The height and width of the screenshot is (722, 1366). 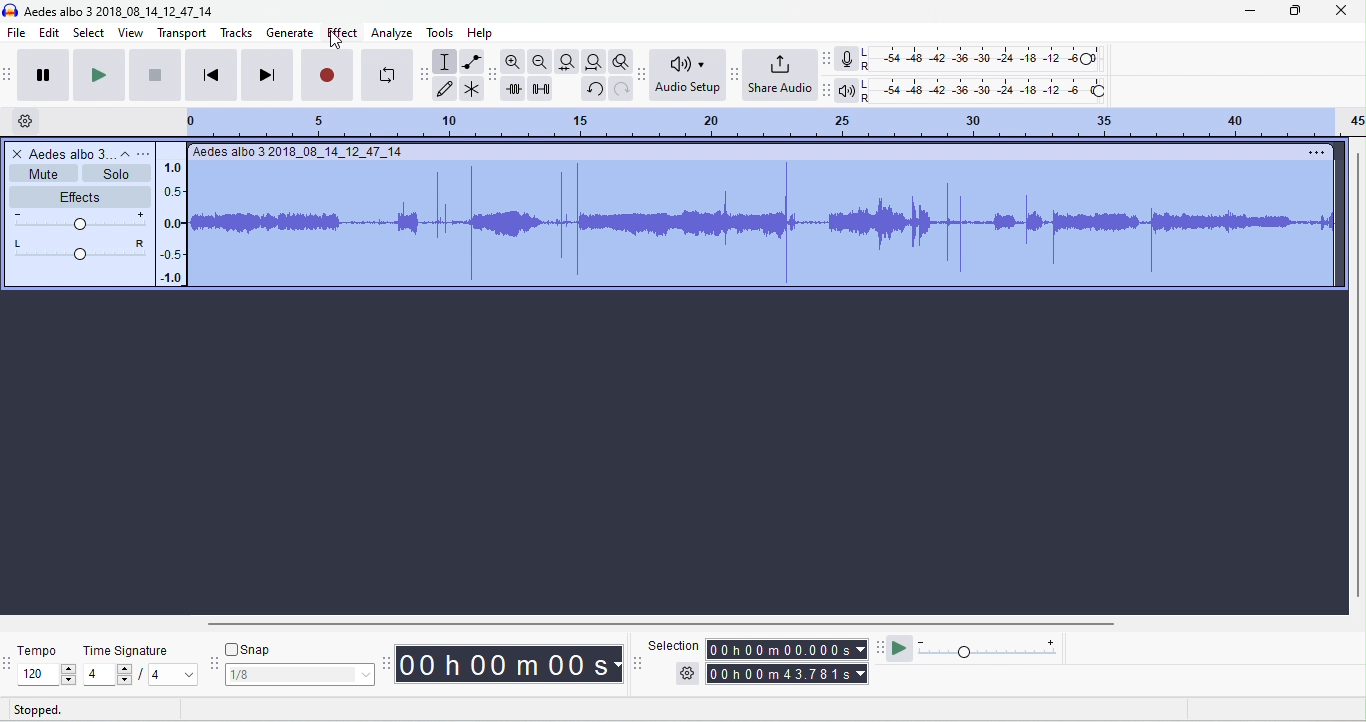 What do you see at coordinates (687, 672) in the screenshot?
I see `selection options` at bounding box center [687, 672].